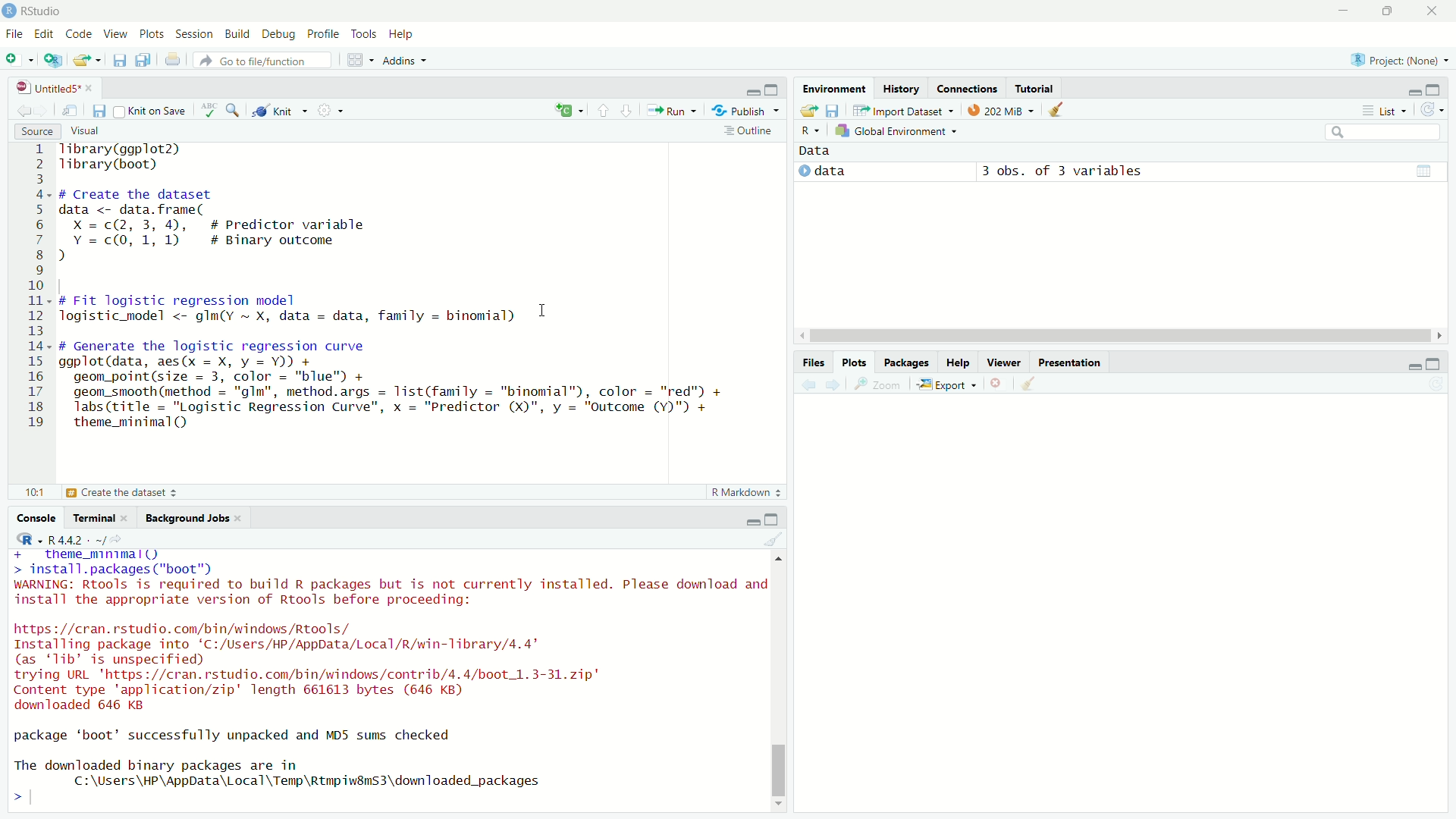  Describe the element at coordinates (91, 517) in the screenshot. I see `Terminal` at that location.